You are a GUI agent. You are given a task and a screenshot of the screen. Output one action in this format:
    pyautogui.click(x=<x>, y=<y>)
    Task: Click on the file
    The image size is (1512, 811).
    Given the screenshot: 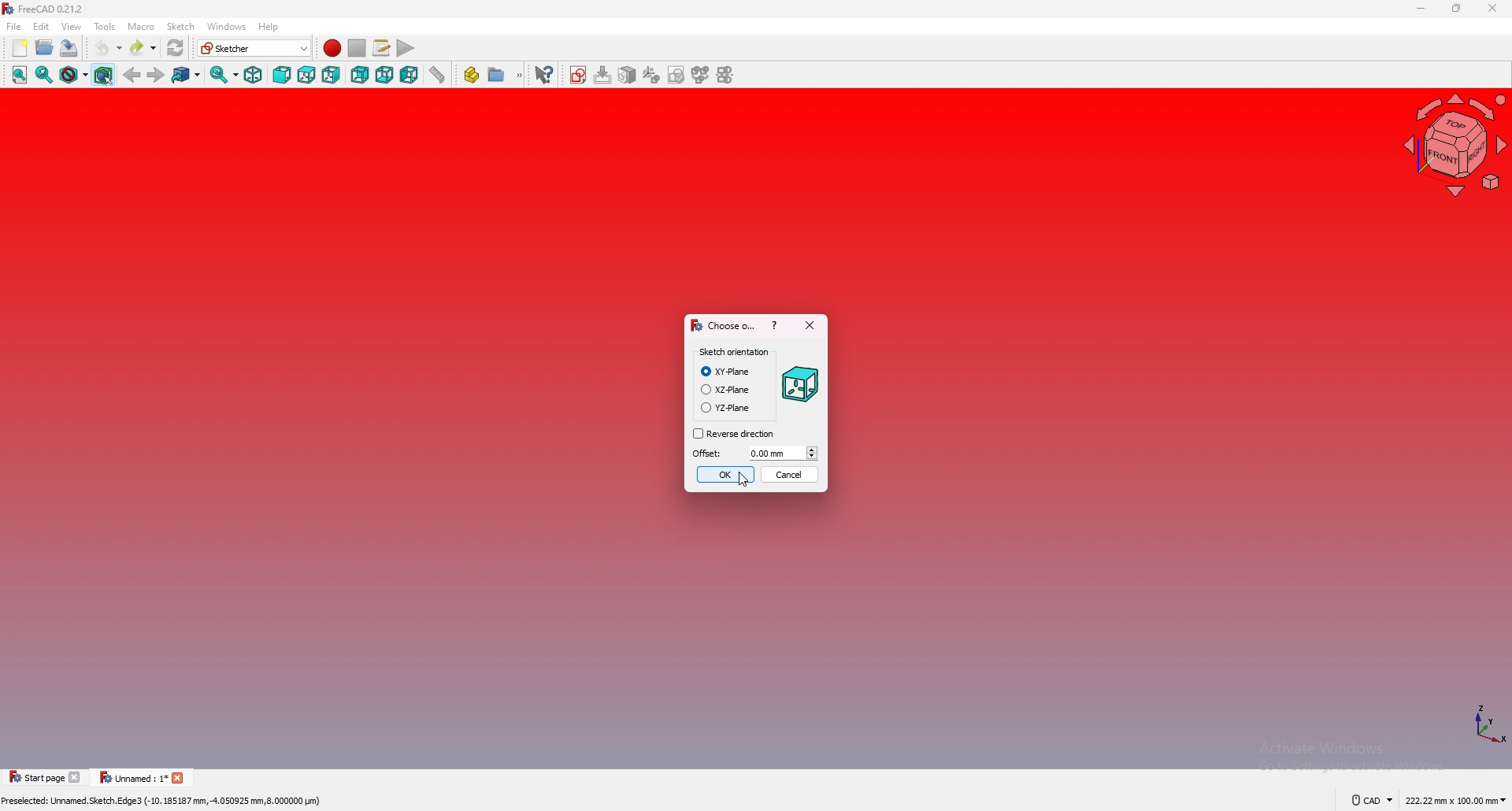 What is the action you would take?
    pyautogui.click(x=14, y=26)
    